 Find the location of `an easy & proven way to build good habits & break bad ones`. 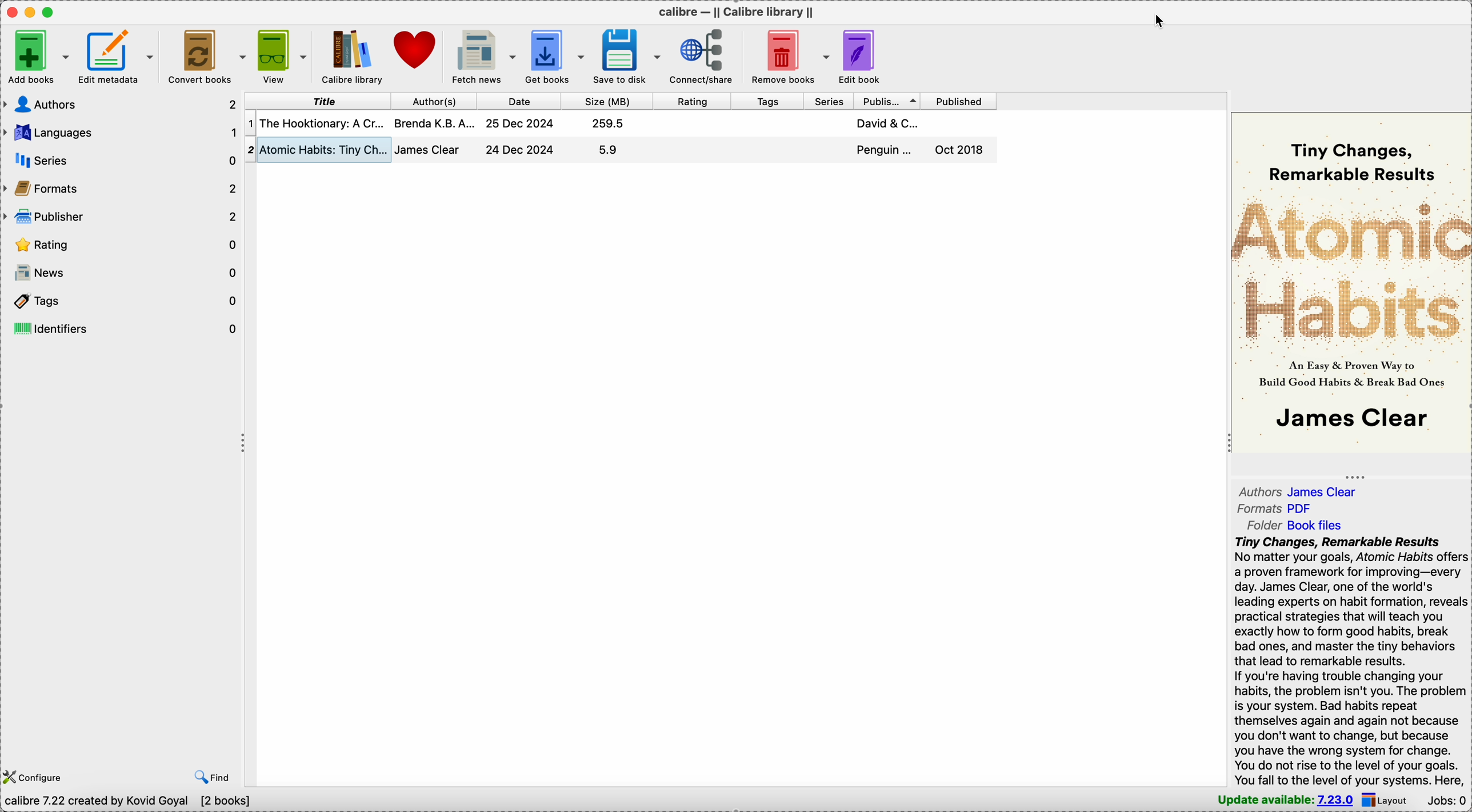

an easy & proven way to build good habits & break bad ones is located at coordinates (1353, 374).